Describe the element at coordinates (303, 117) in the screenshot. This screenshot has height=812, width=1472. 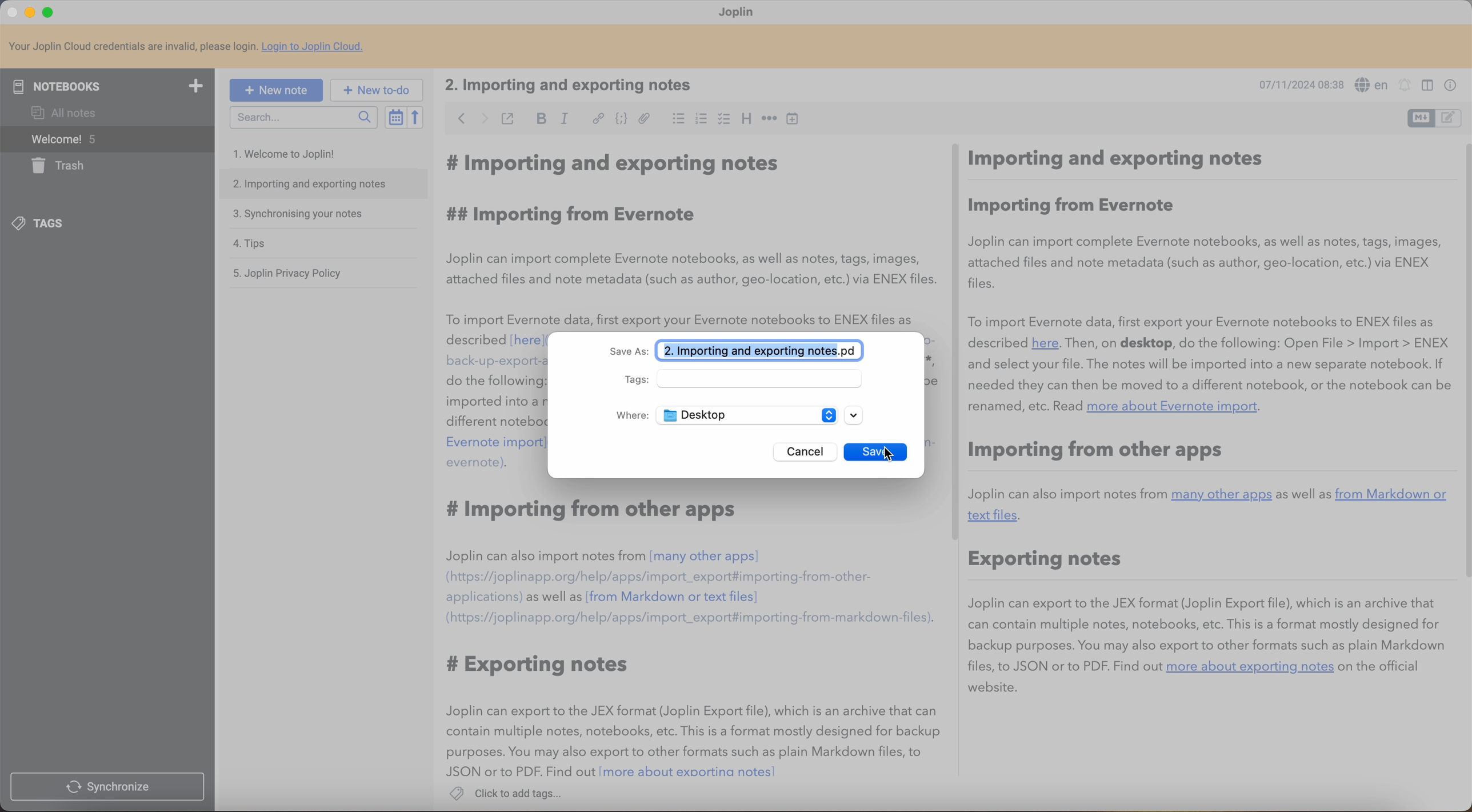
I see `search bar` at that location.